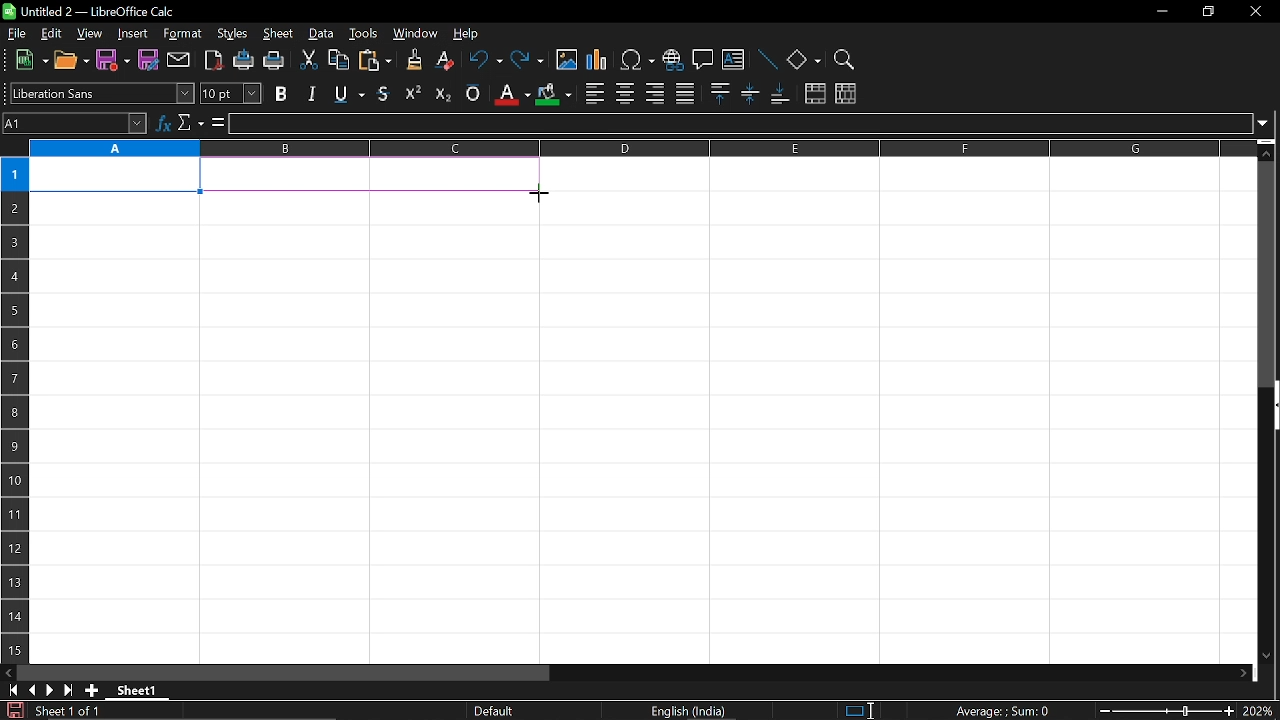 Image resolution: width=1280 pixels, height=720 pixels. What do you see at coordinates (275, 61) in the screenshot?
I see `print` at bounding box center [275, 61].